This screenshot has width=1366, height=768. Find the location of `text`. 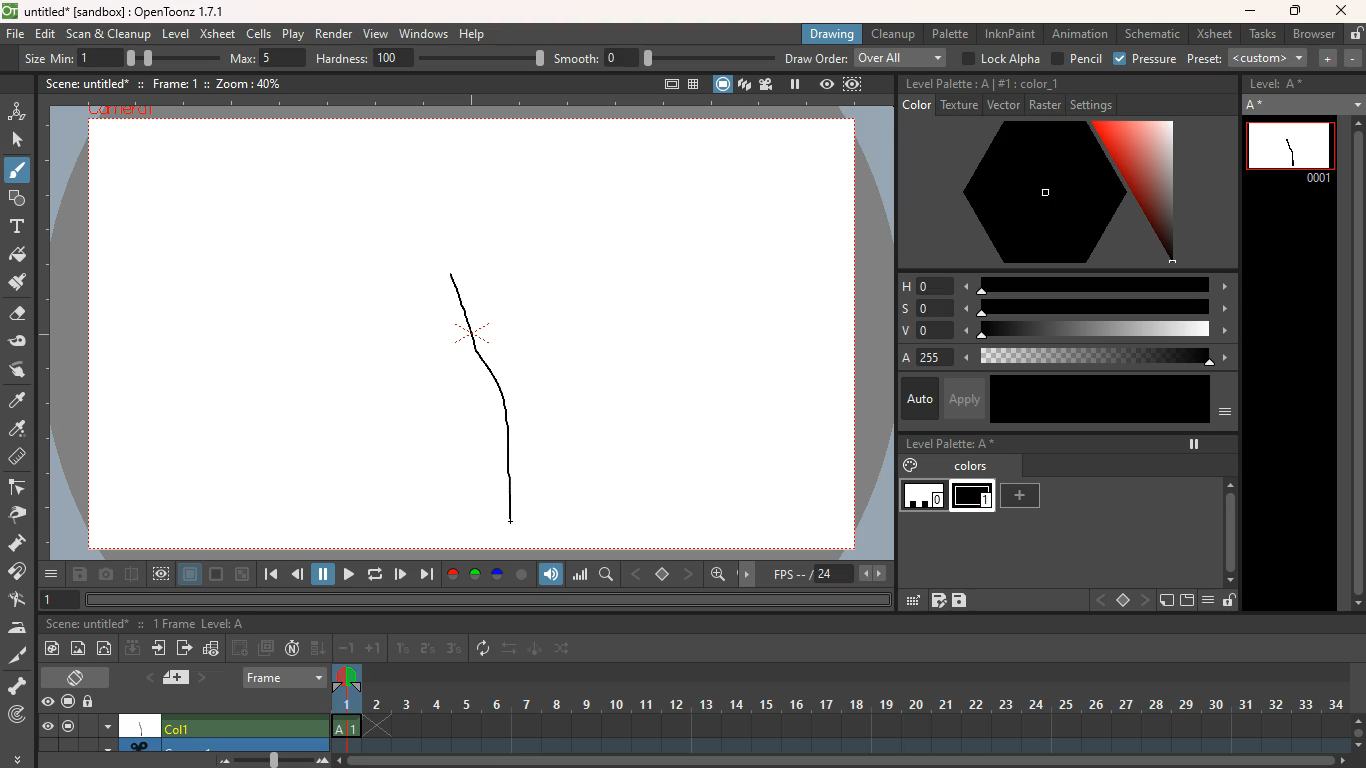

text is located at coordinates (17, 228).